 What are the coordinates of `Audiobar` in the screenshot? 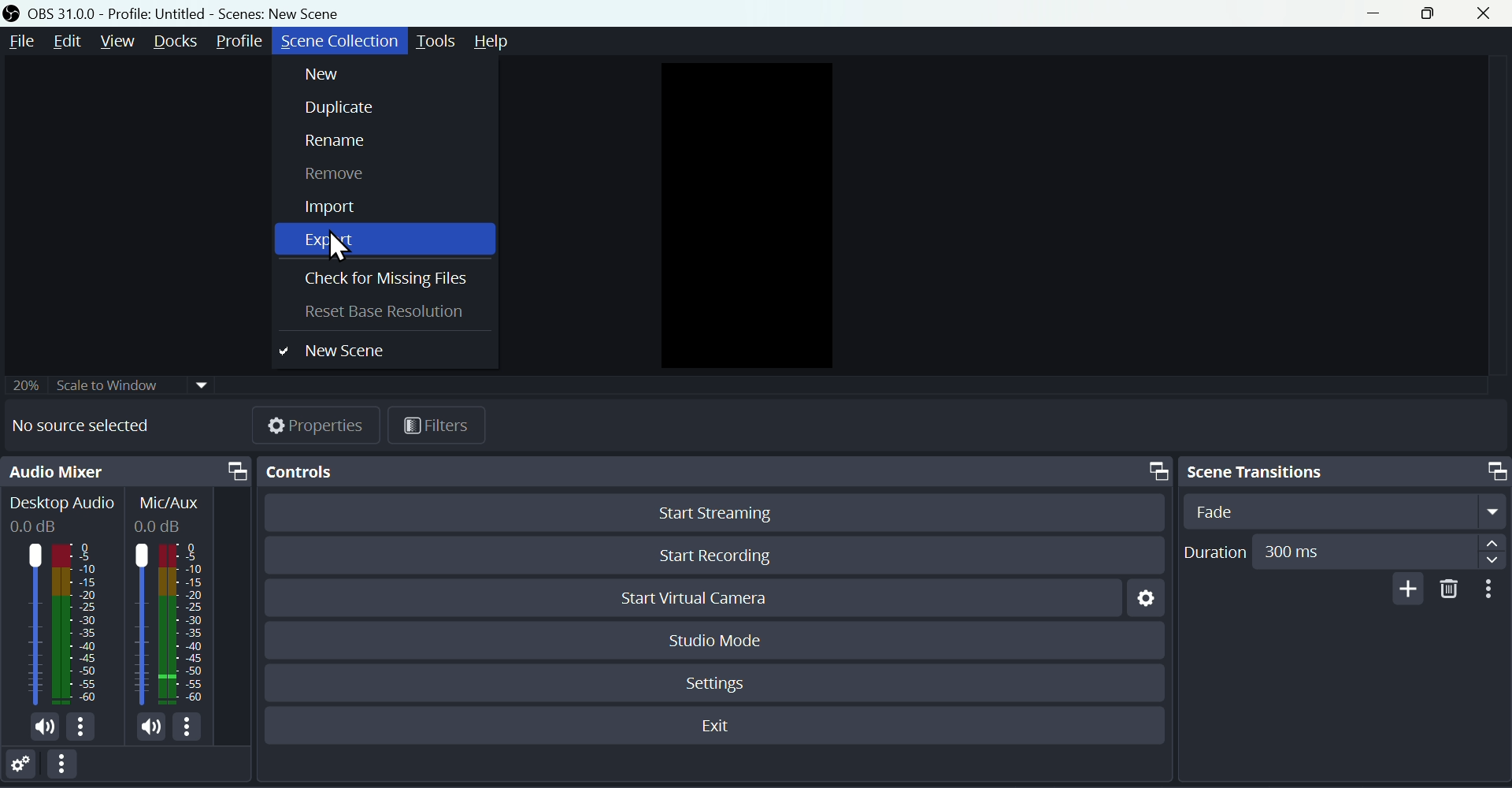 It's located at (172, 621).